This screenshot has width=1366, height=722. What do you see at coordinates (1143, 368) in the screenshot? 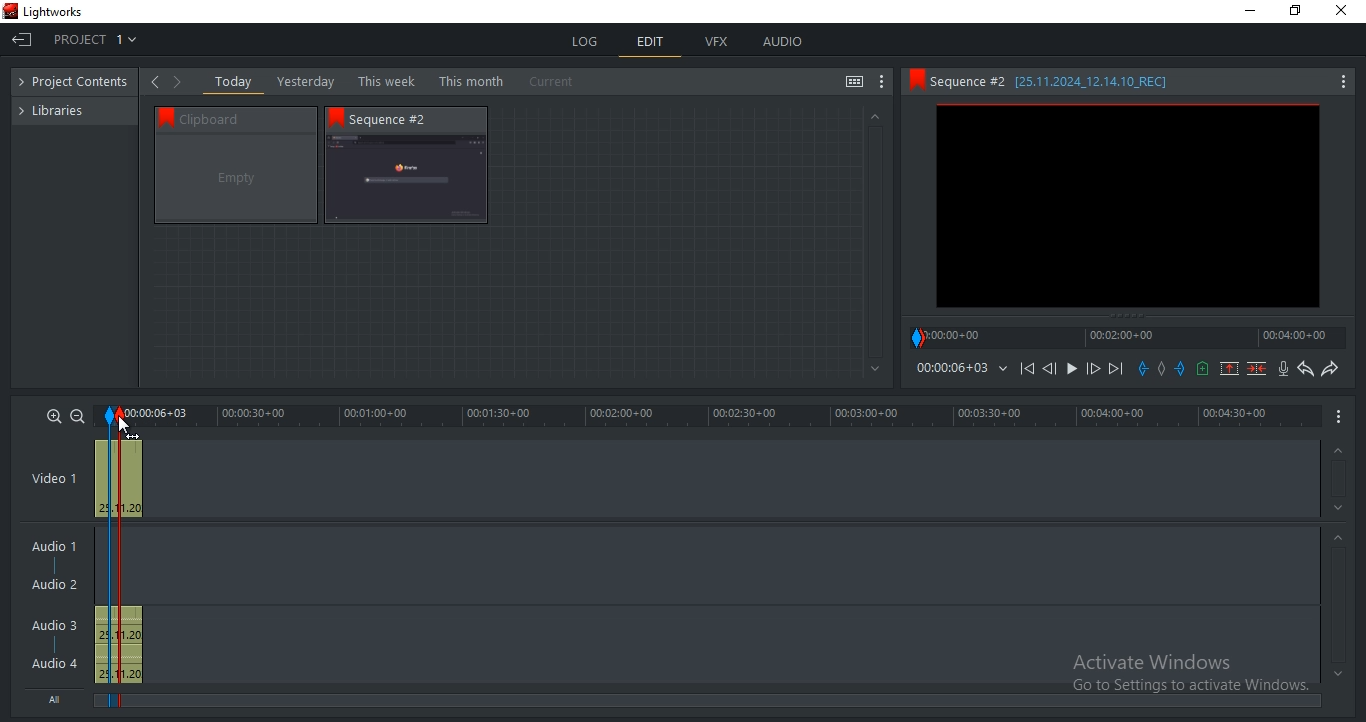
I see `mark in` at bounding box center [1143, 368].